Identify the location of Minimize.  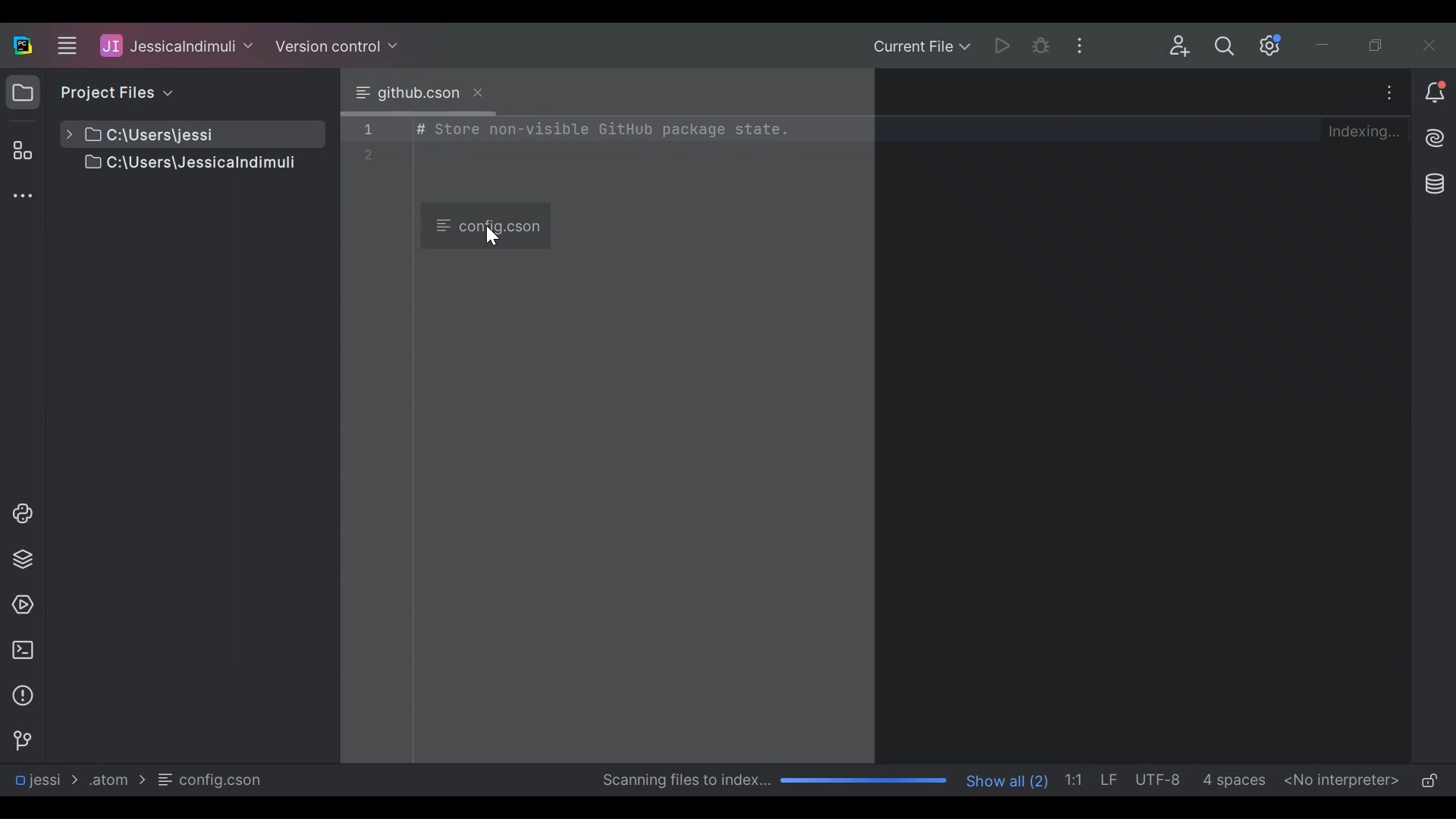
(1329, 45).